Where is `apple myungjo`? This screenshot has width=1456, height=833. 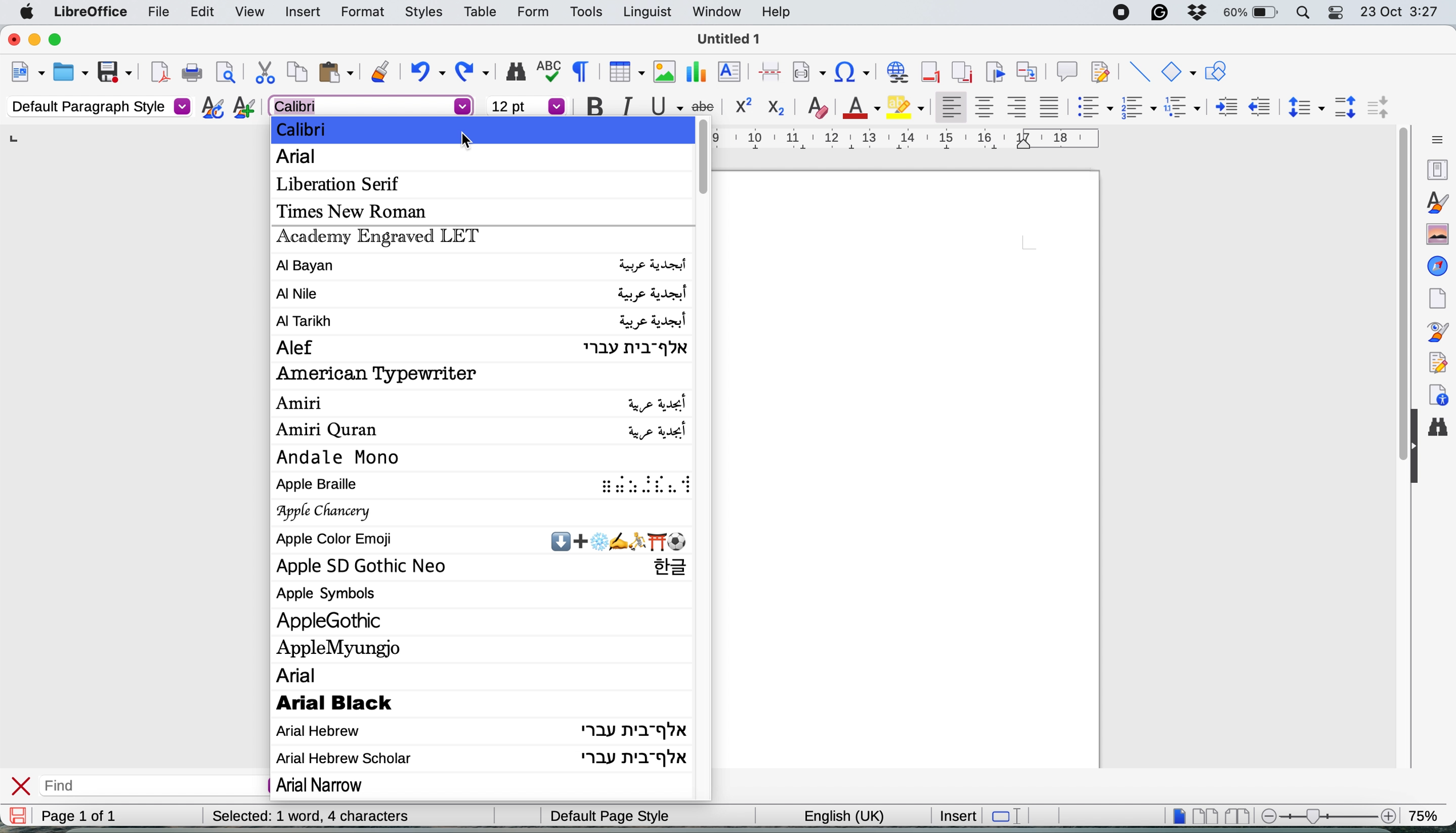 apple myungjo is located at coordinates (348, 646).